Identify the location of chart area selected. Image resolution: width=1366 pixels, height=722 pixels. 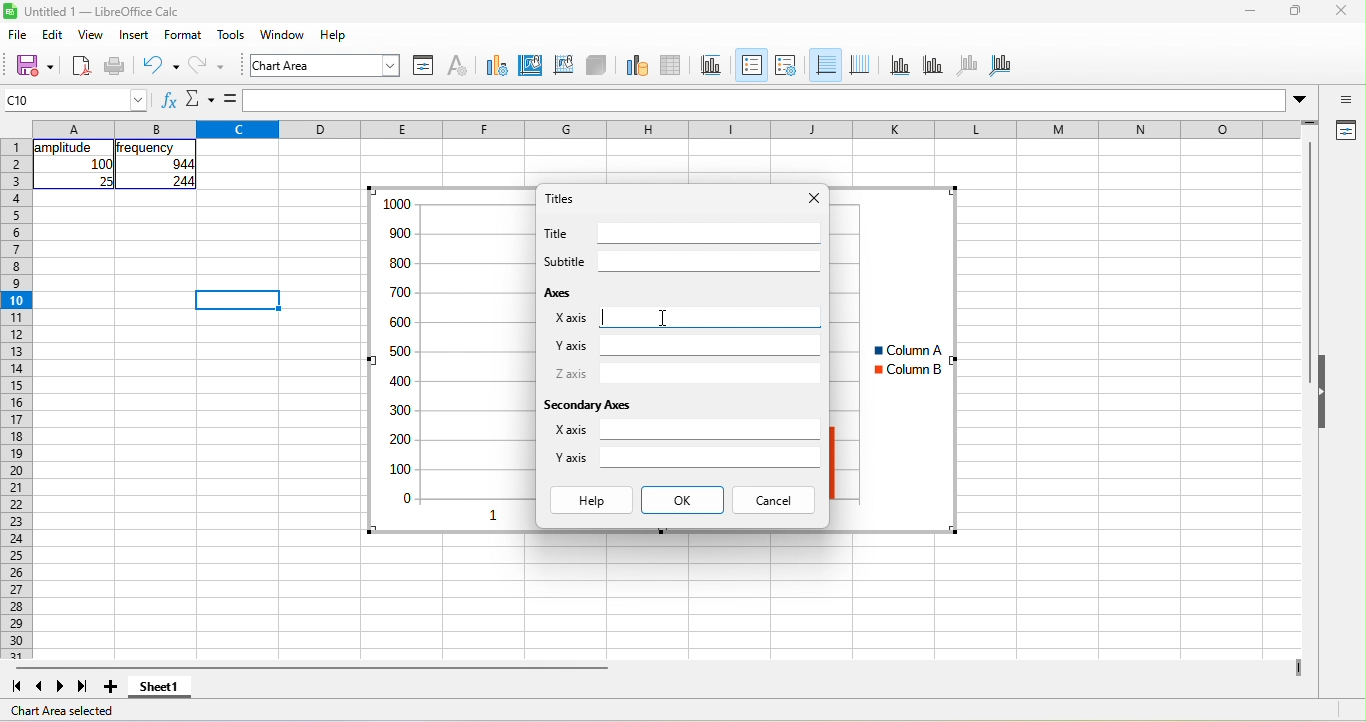
(62, 711).